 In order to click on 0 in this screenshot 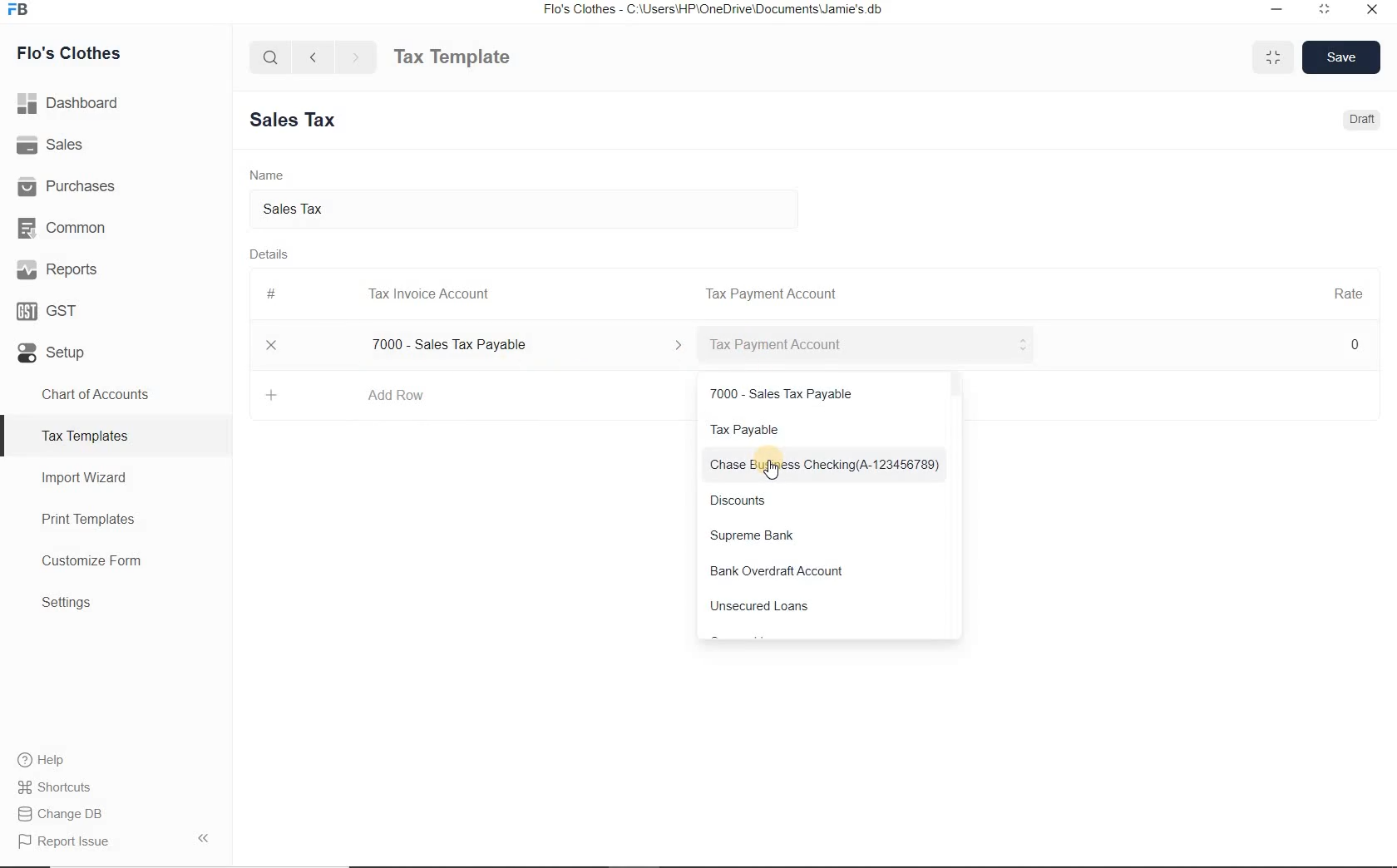, I will do `click(1356, 343)`.